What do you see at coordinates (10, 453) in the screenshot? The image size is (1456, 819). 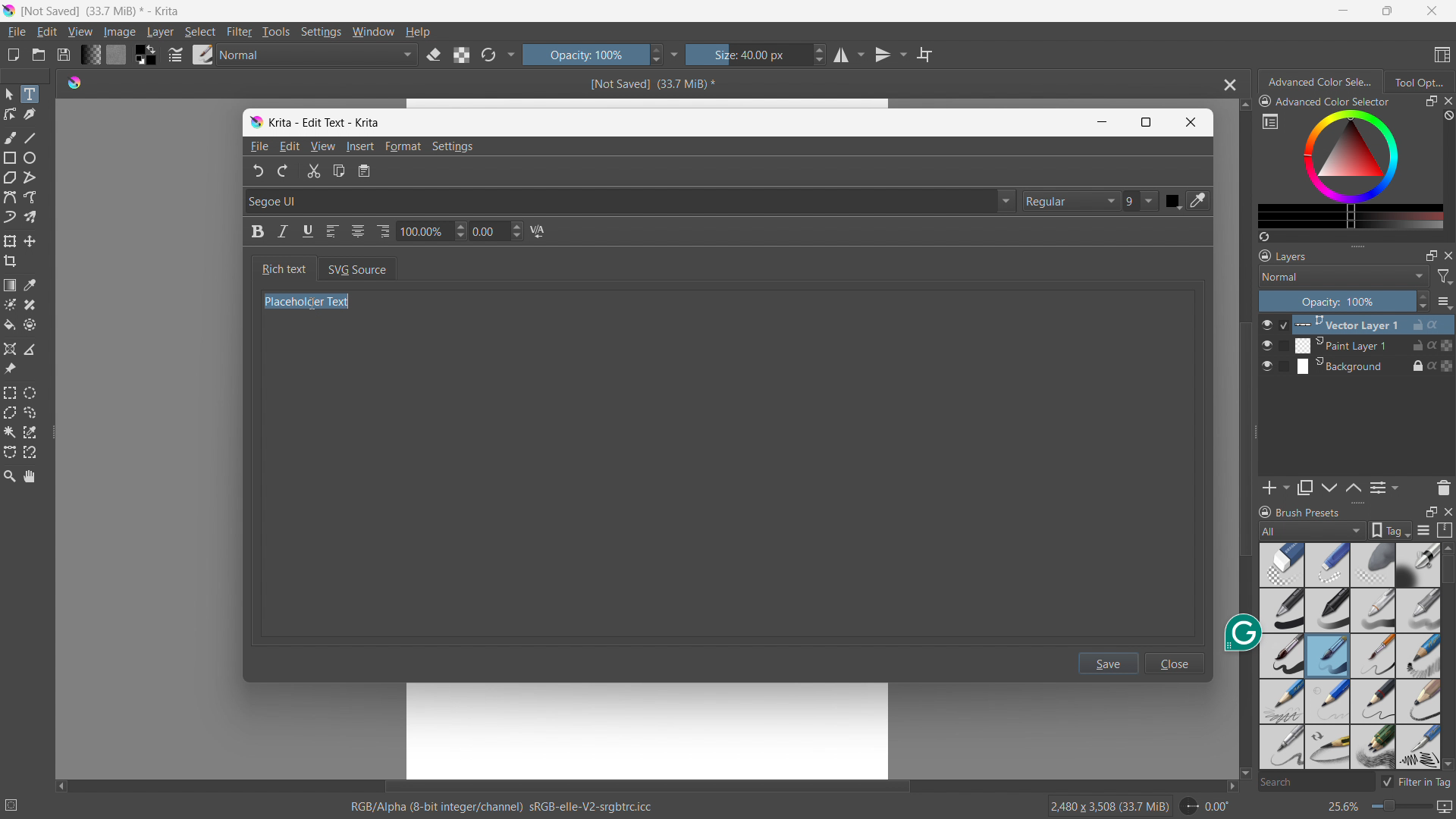 I see `bezier curve selection tool` at bounding box center [10, 453].